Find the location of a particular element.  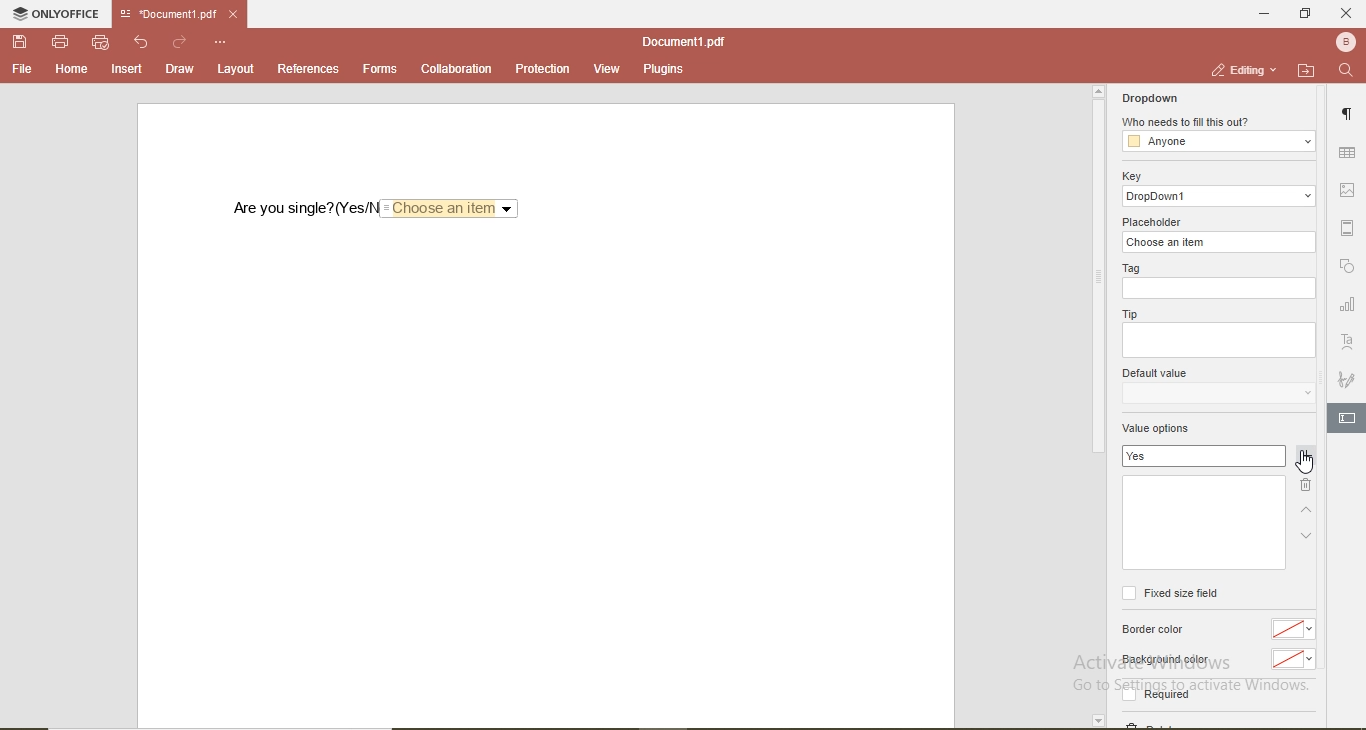

shape is located at coordinates (1351, 269).